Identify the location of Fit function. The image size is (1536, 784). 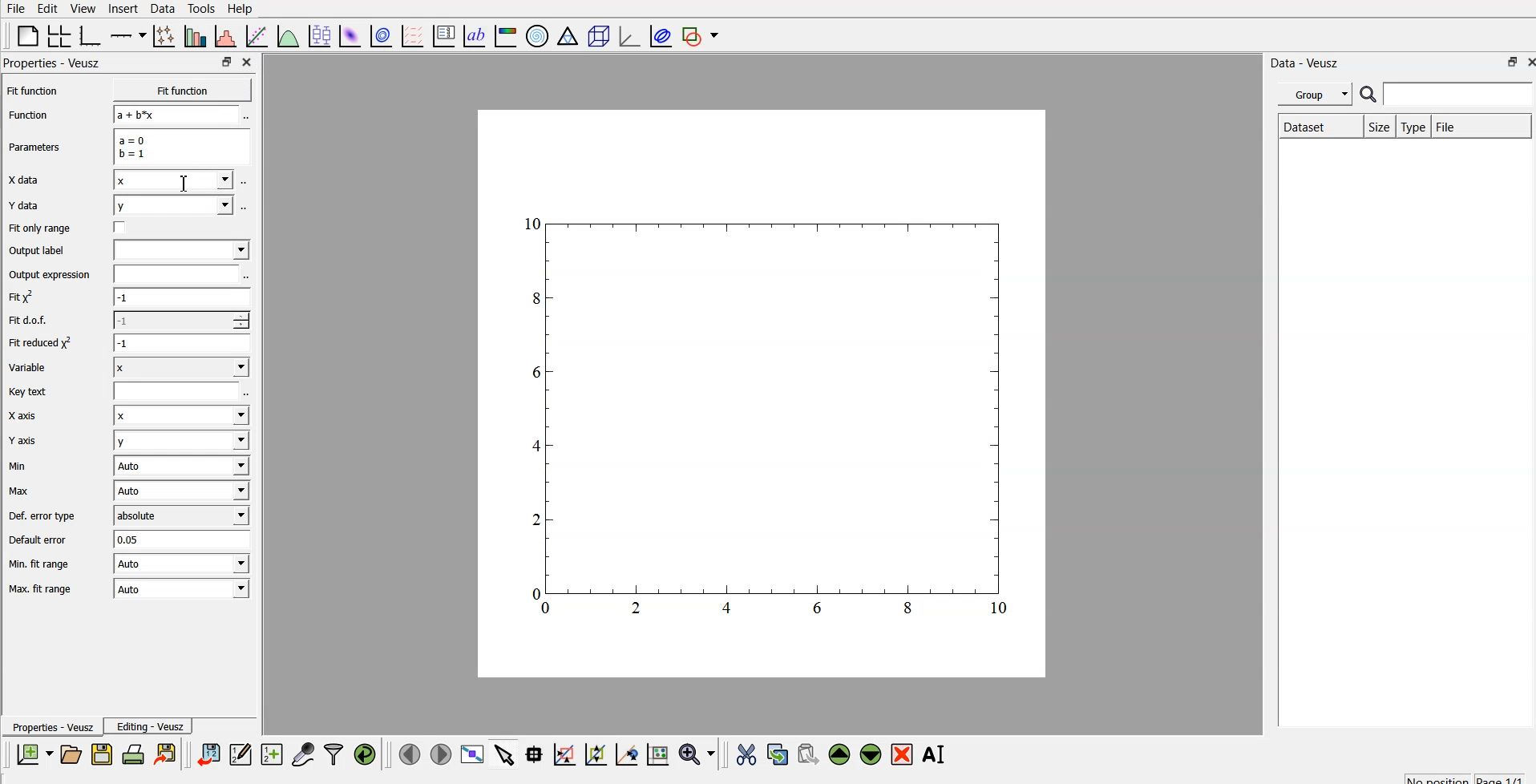
(184, 92).